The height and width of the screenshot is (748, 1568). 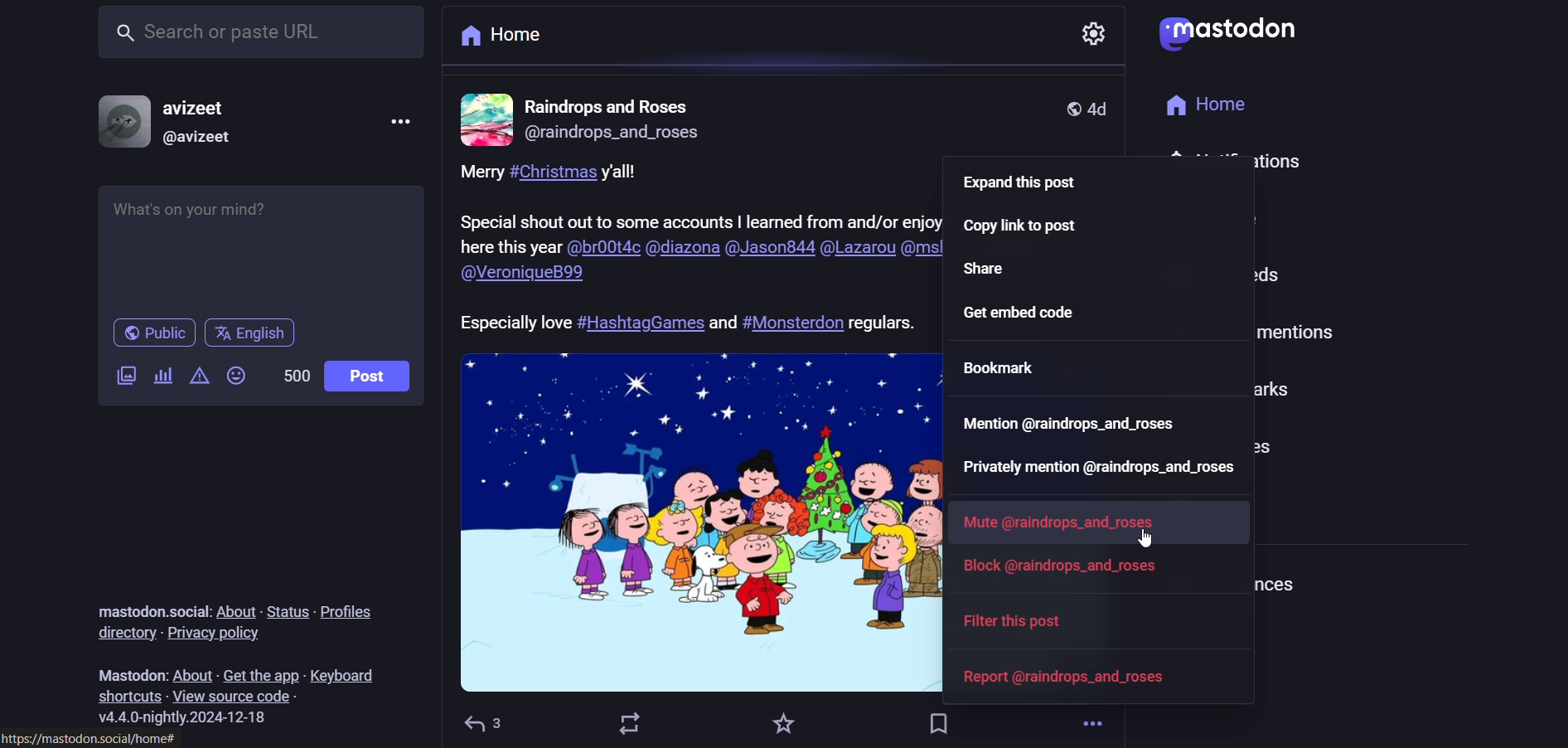 What do you see at coordinates (93, 740) in the screenshot?
I see `https://mastodon.social/home` at bounding box center [93, 740].